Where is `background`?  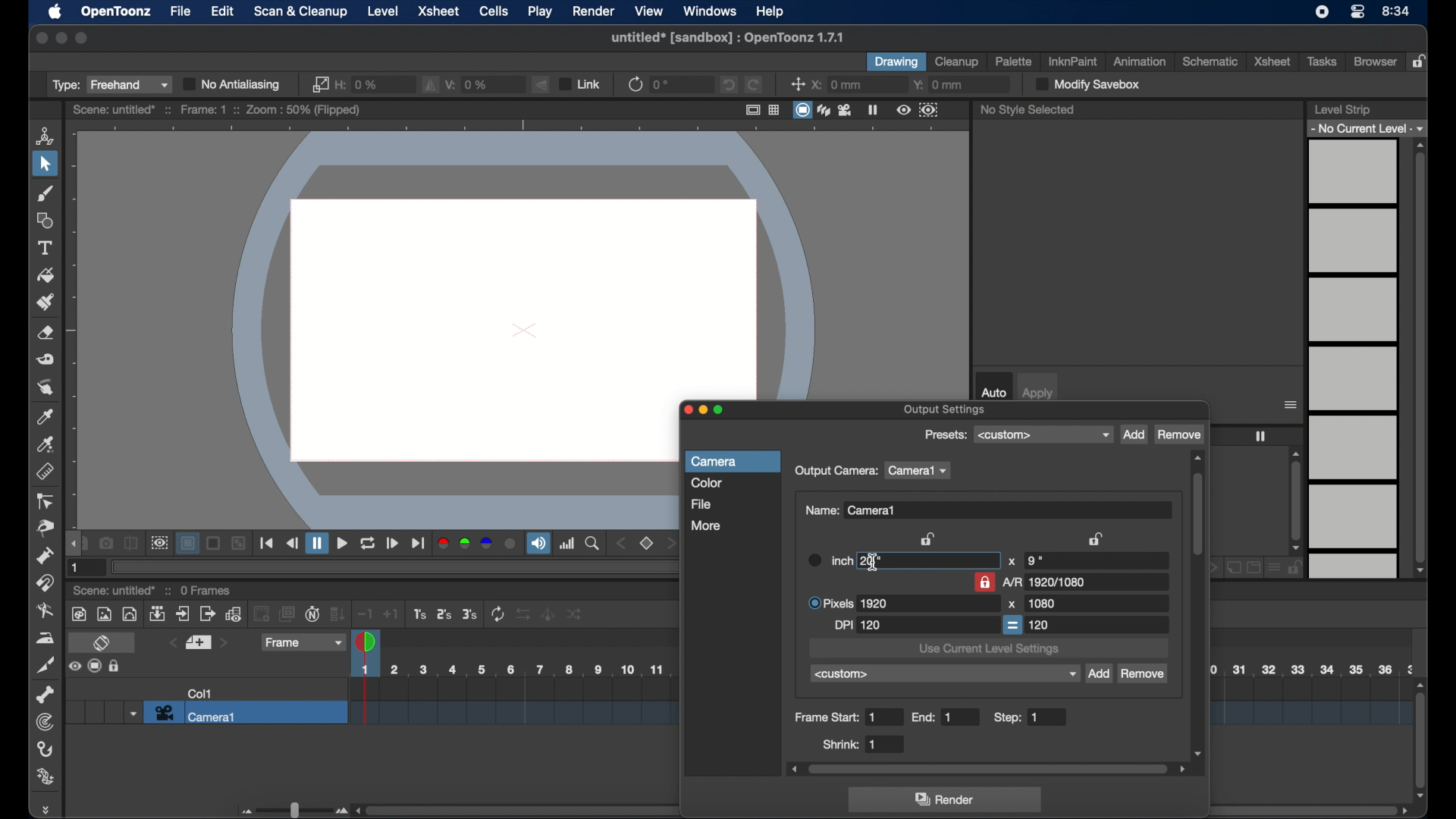
background is located at coordinates (190, 544).